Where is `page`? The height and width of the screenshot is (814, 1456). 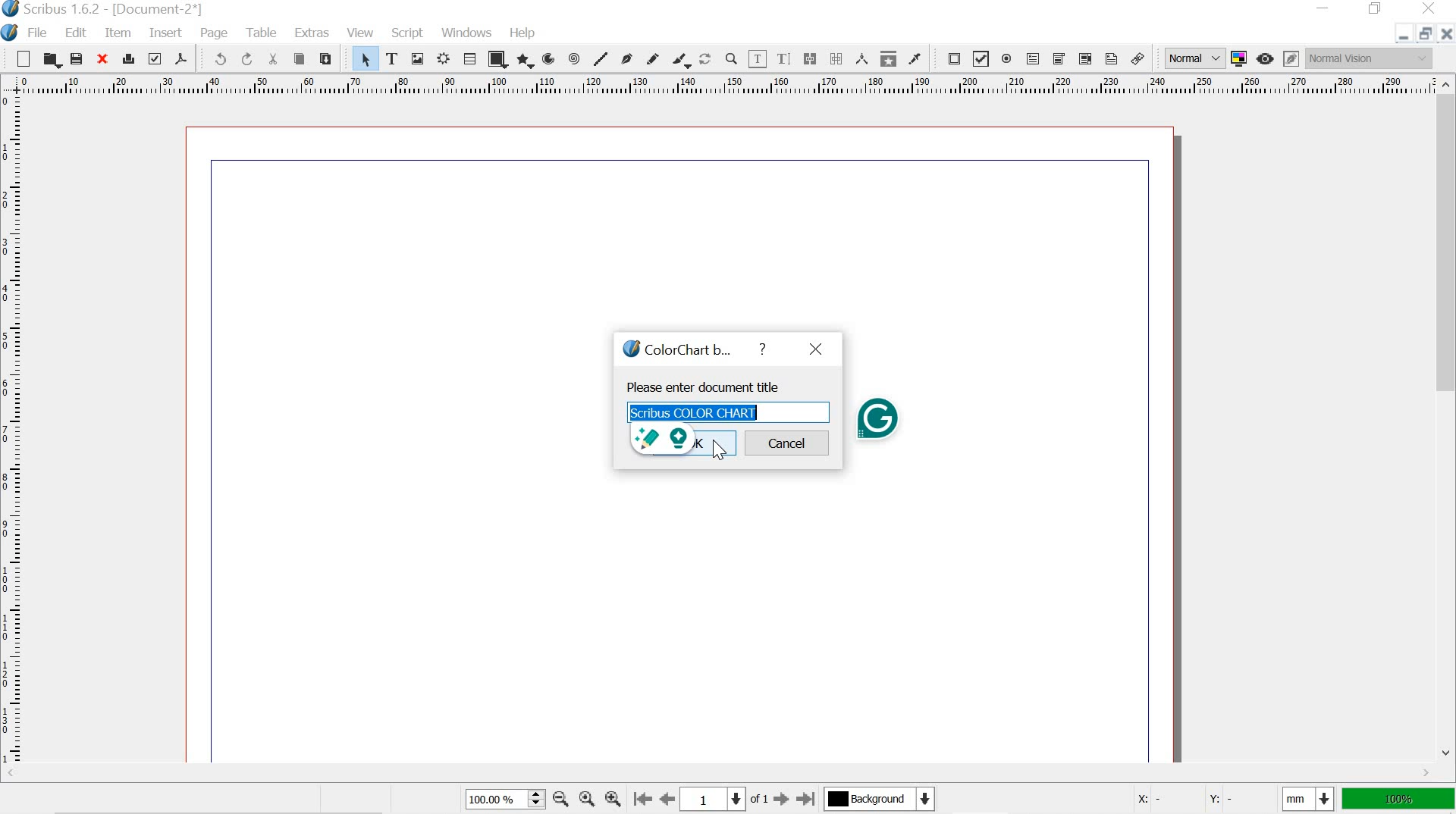 page is located at coordinates (218, 33).